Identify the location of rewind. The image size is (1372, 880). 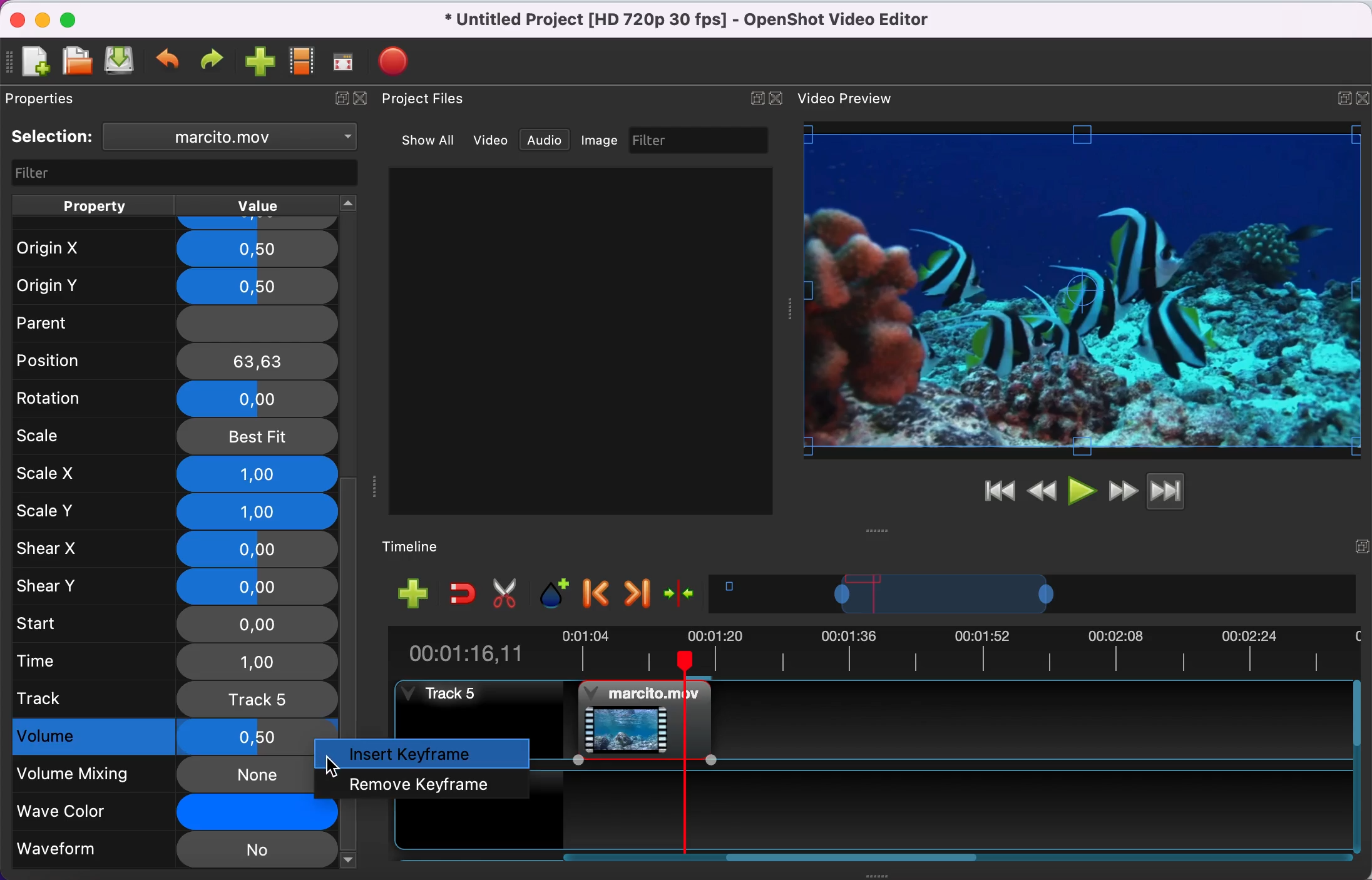
(1043, 489).